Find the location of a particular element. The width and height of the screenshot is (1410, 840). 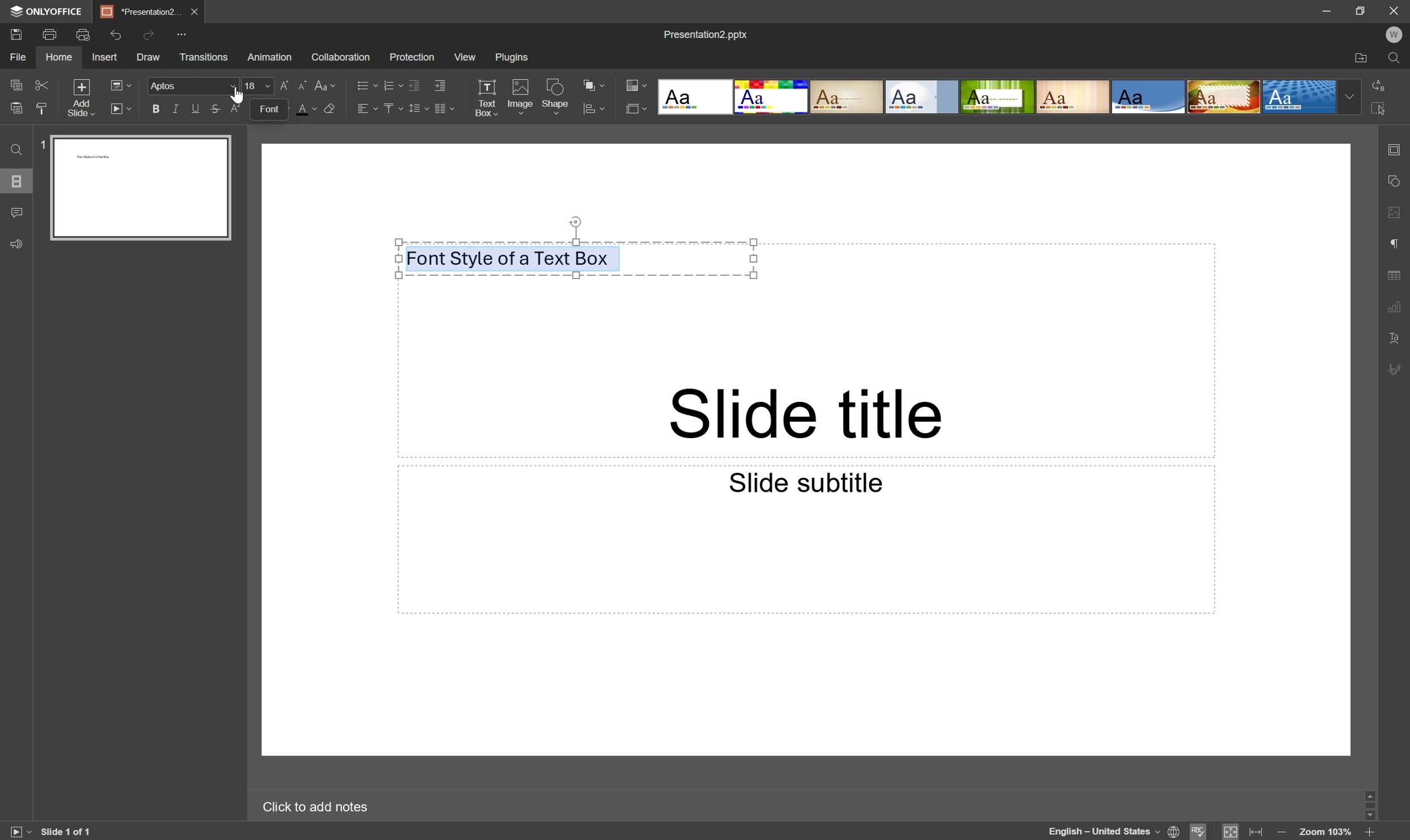

Insert columns is located at coordinates (446, 108).